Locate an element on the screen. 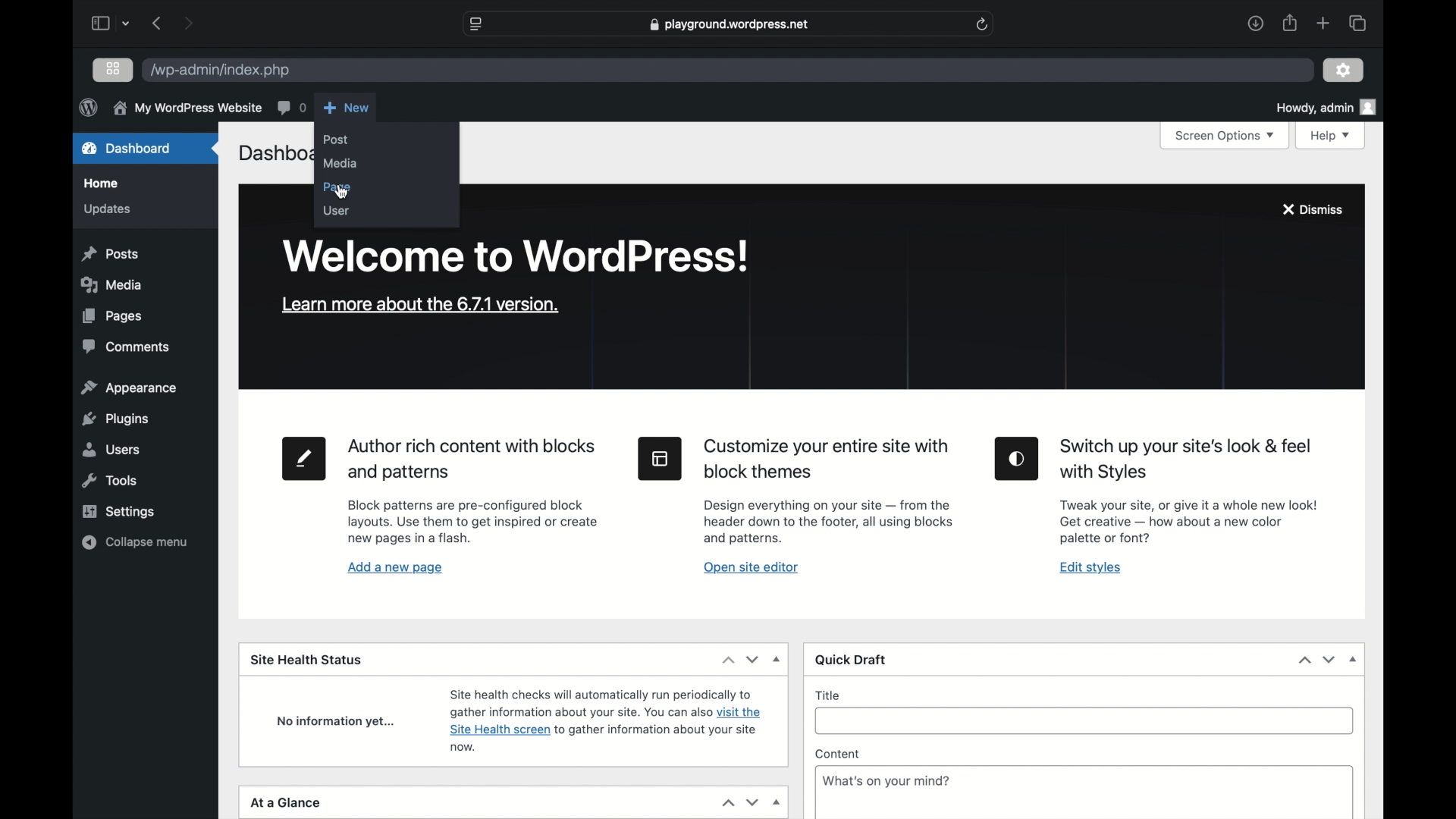  next page is located at coordinates (188, 23).